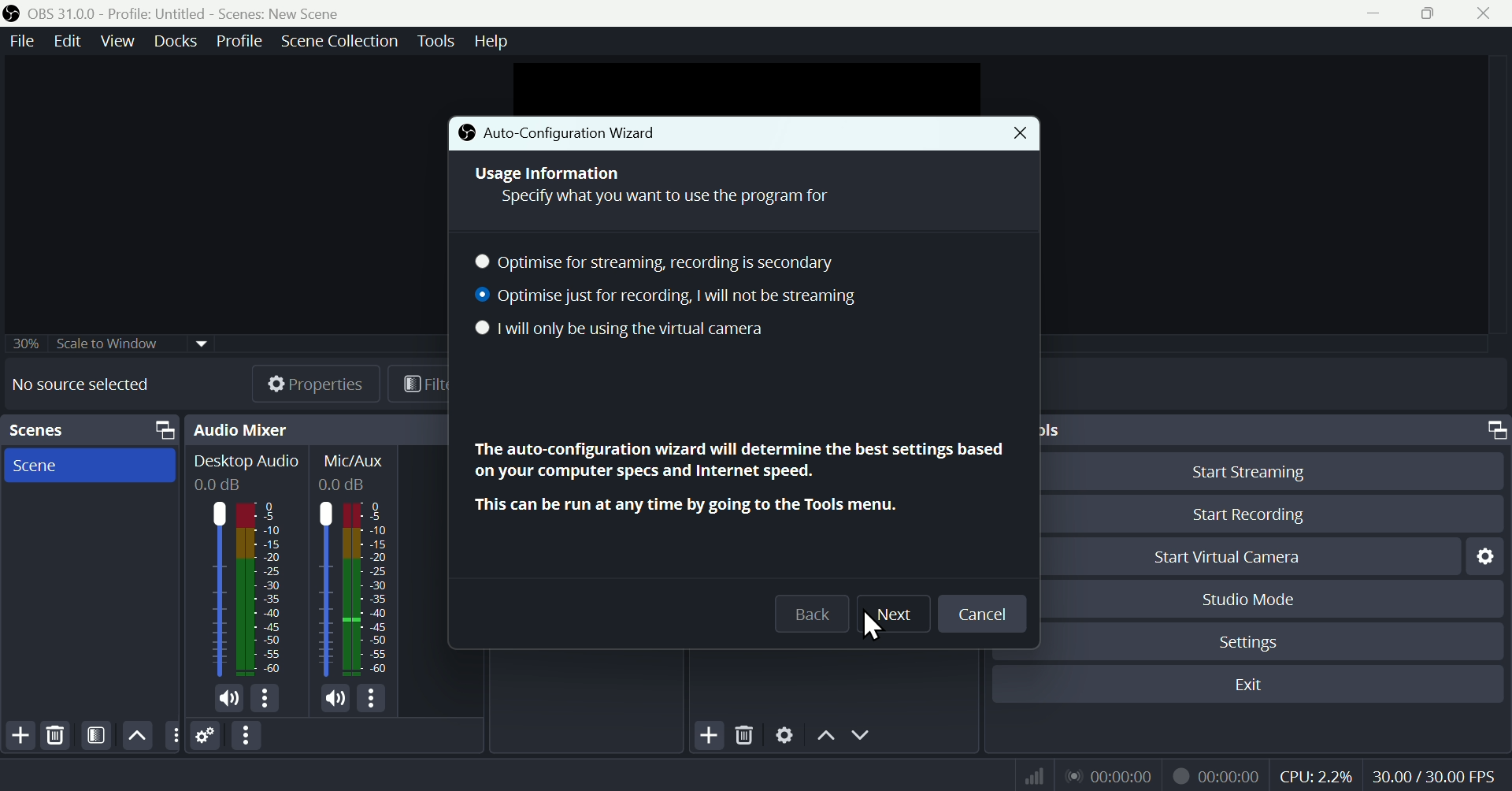 This screenshot has height=791, width=1512. I want to click on Up, so click(137, 735).